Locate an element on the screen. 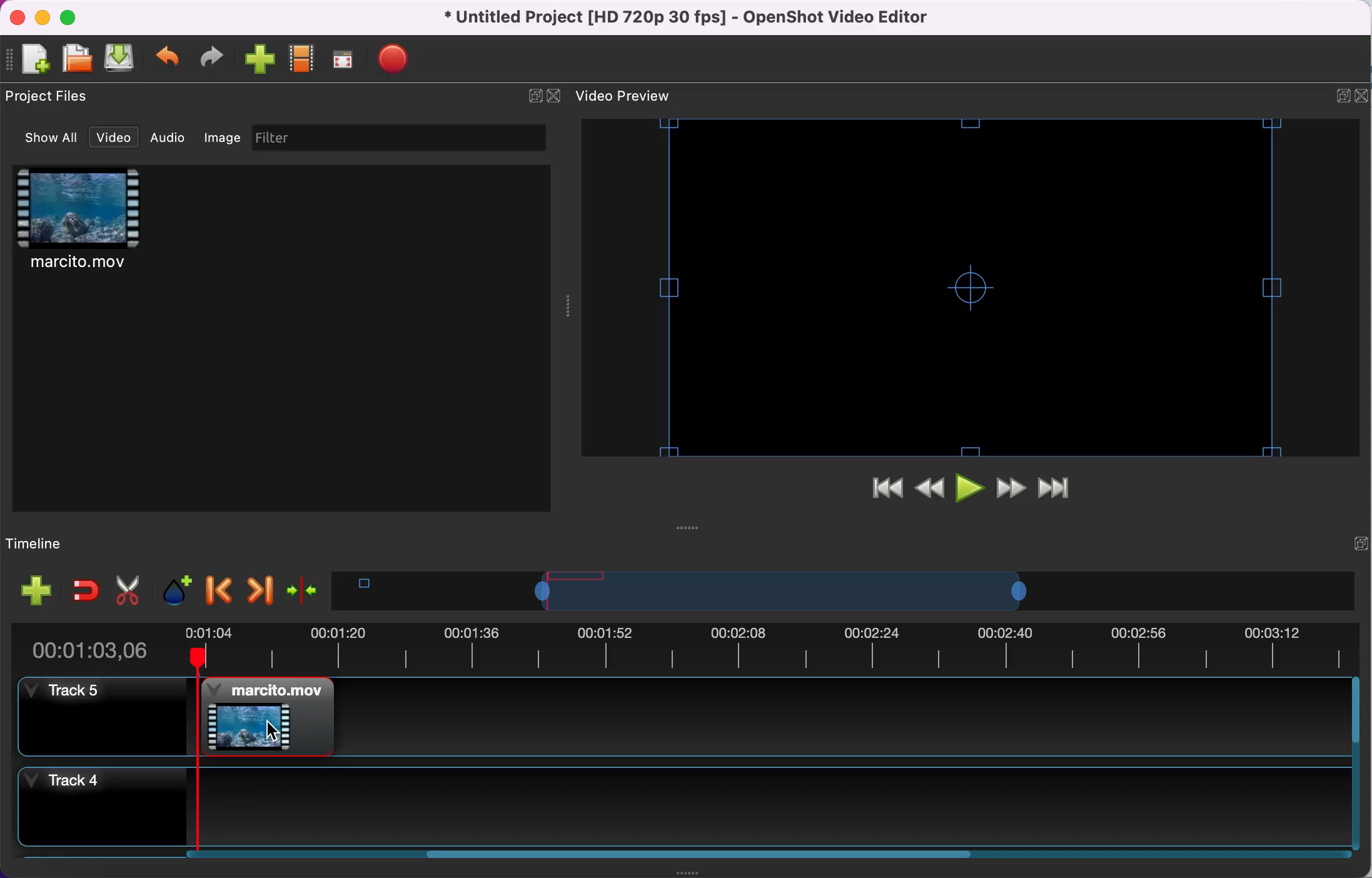  next marker is located at coordinates (261, 588).